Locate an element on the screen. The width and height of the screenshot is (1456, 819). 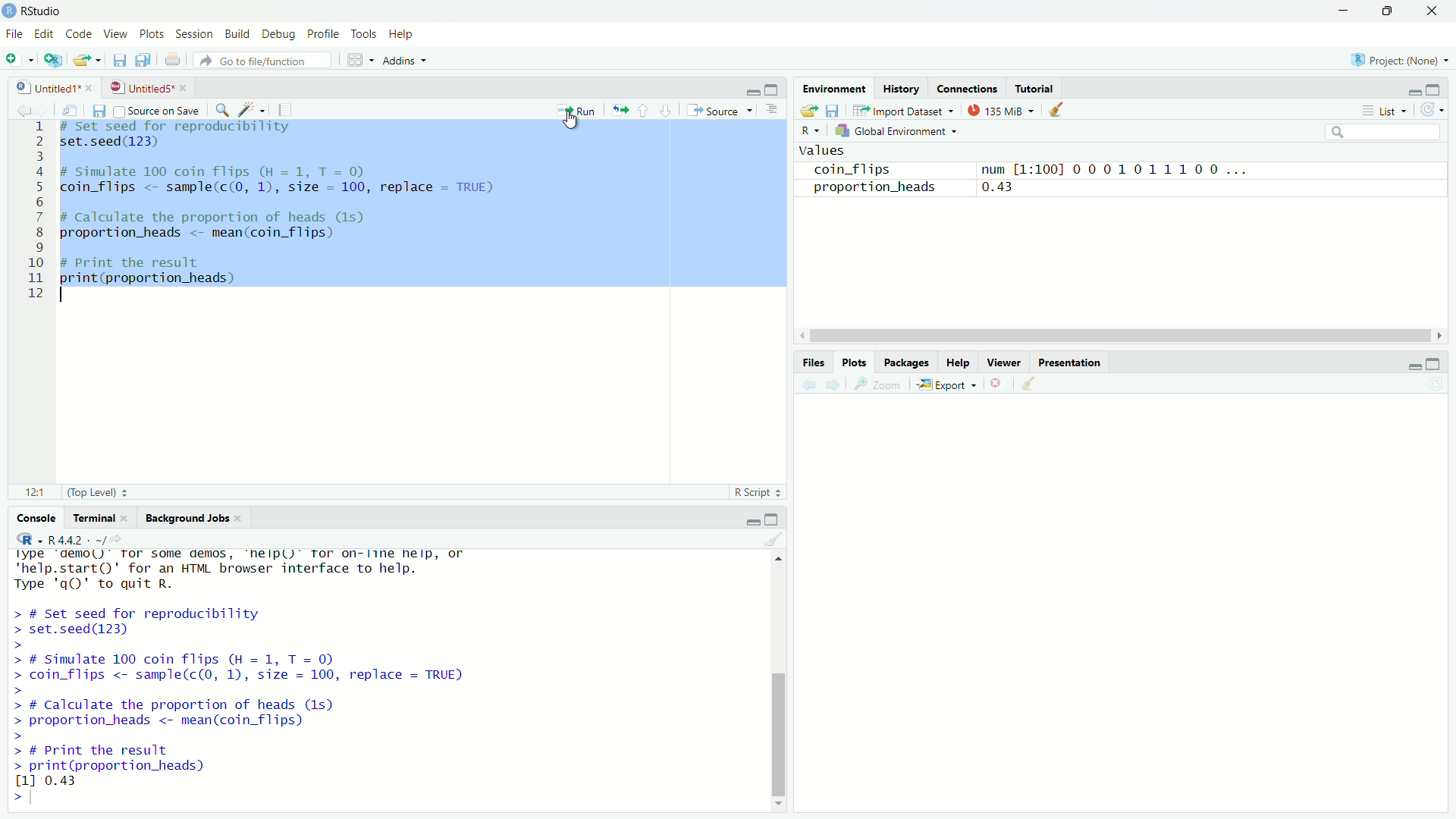
session is located at coordinates (193, 33).